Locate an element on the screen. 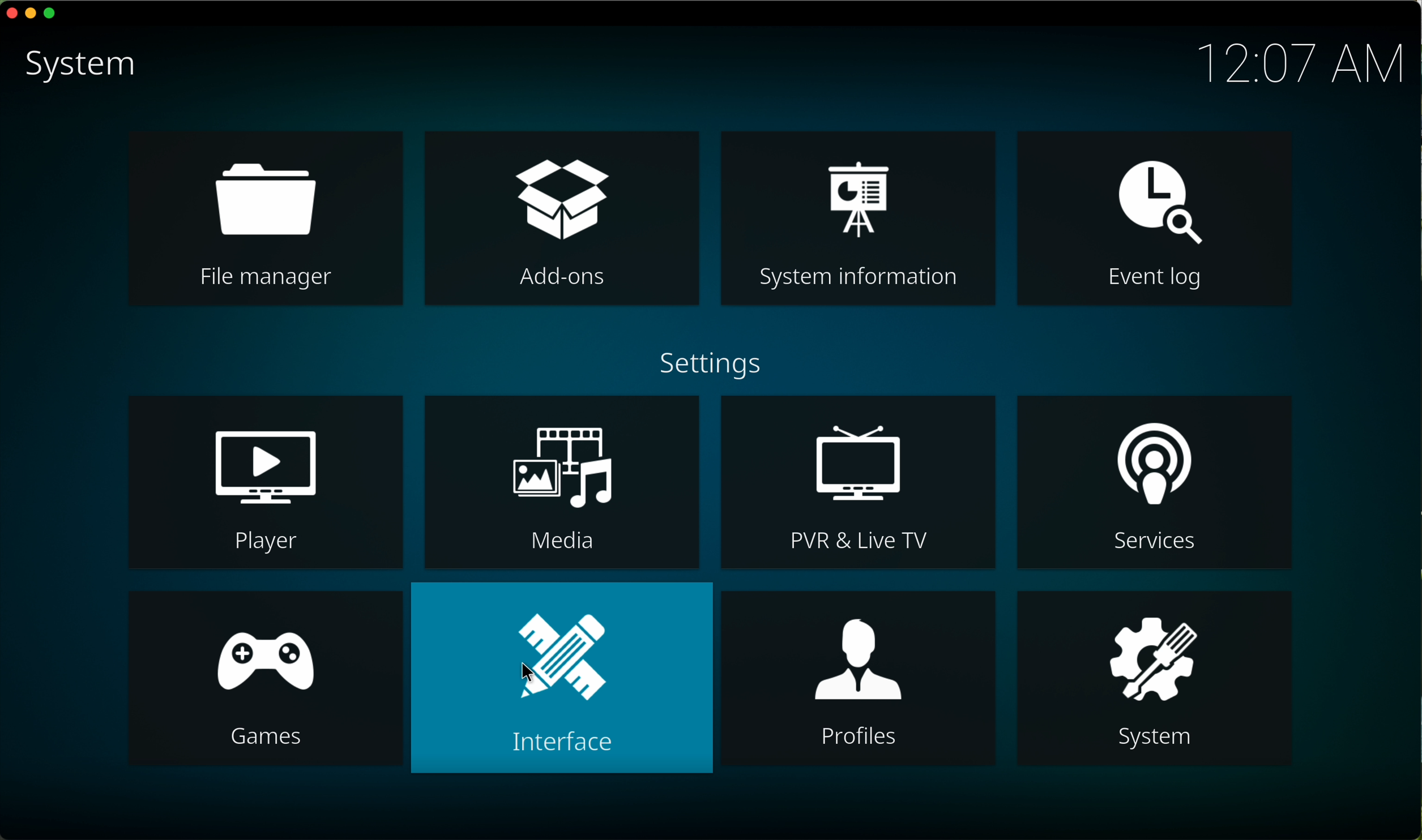 This screenshot has width=1422, height=840. settings is located at coordinates (715, 363).